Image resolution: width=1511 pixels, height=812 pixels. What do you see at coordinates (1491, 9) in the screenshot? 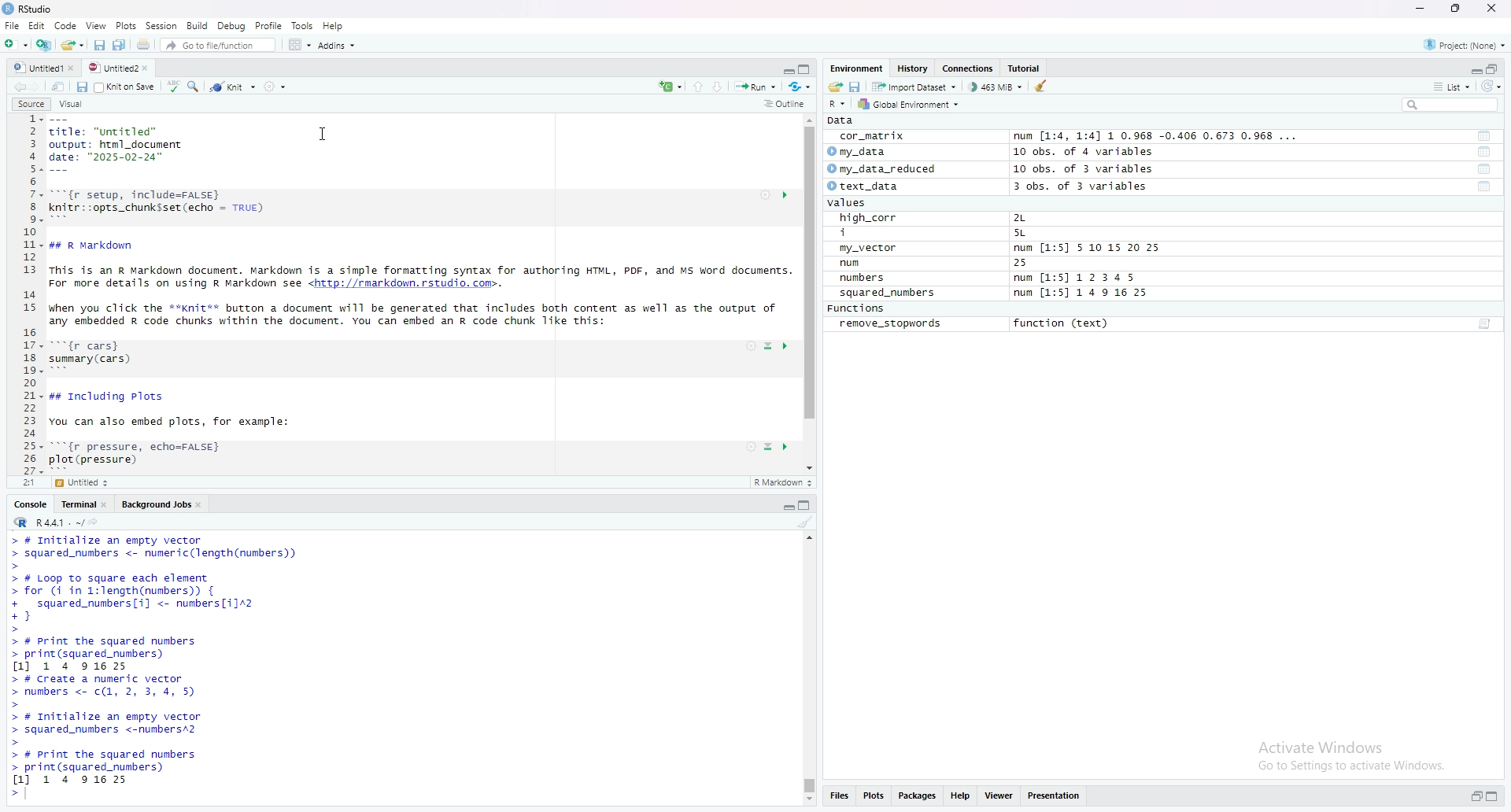
I see `Close` at bounding box center [1491, 9].